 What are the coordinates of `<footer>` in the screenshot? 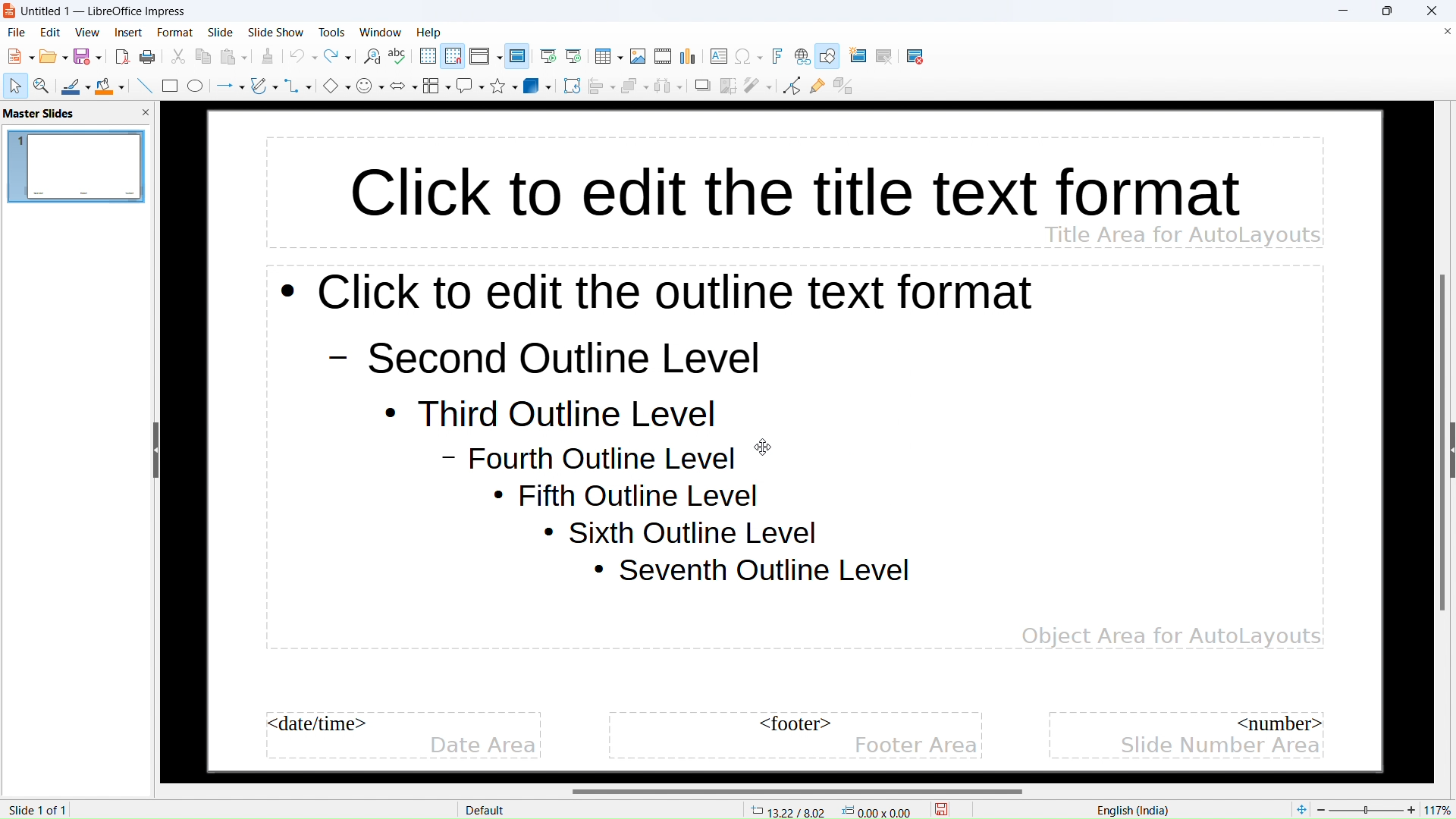 It's located at (790, 725).